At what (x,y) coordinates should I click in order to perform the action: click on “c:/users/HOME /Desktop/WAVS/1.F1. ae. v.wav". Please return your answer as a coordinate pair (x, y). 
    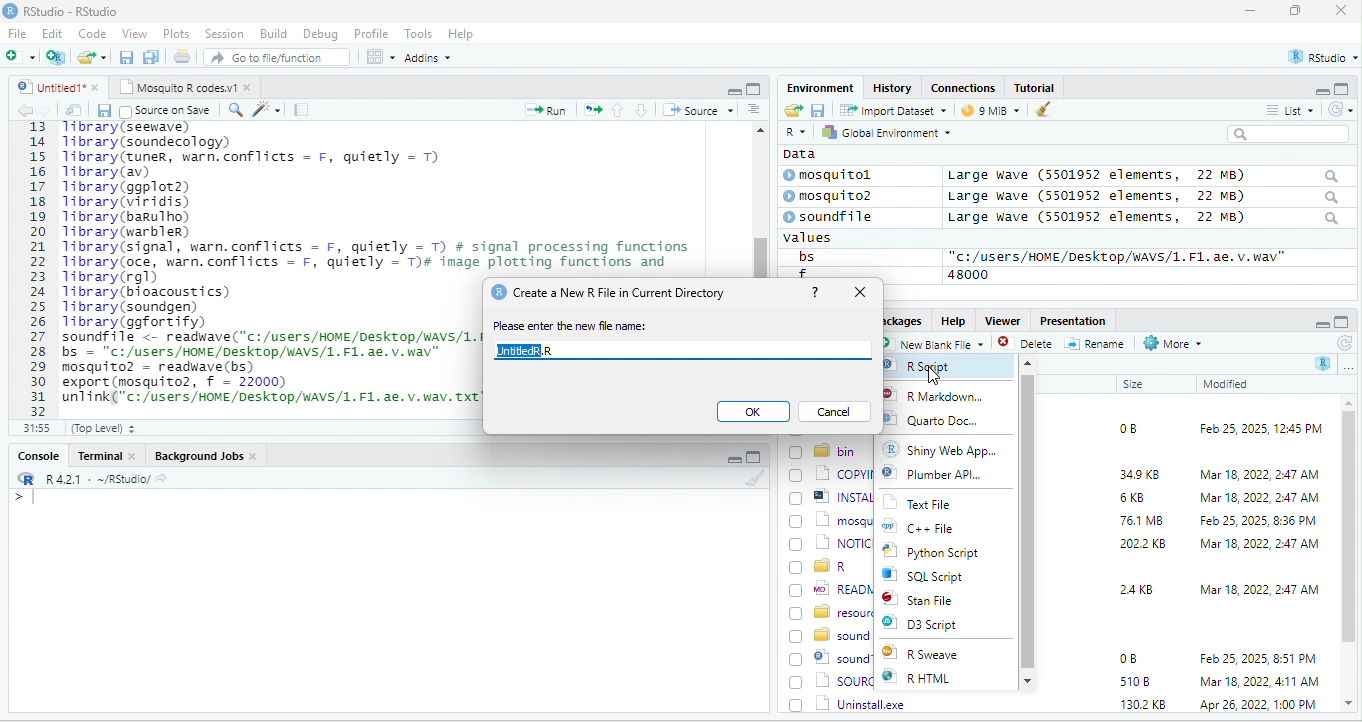
    Looking at the image, I should click on (1117, 256).